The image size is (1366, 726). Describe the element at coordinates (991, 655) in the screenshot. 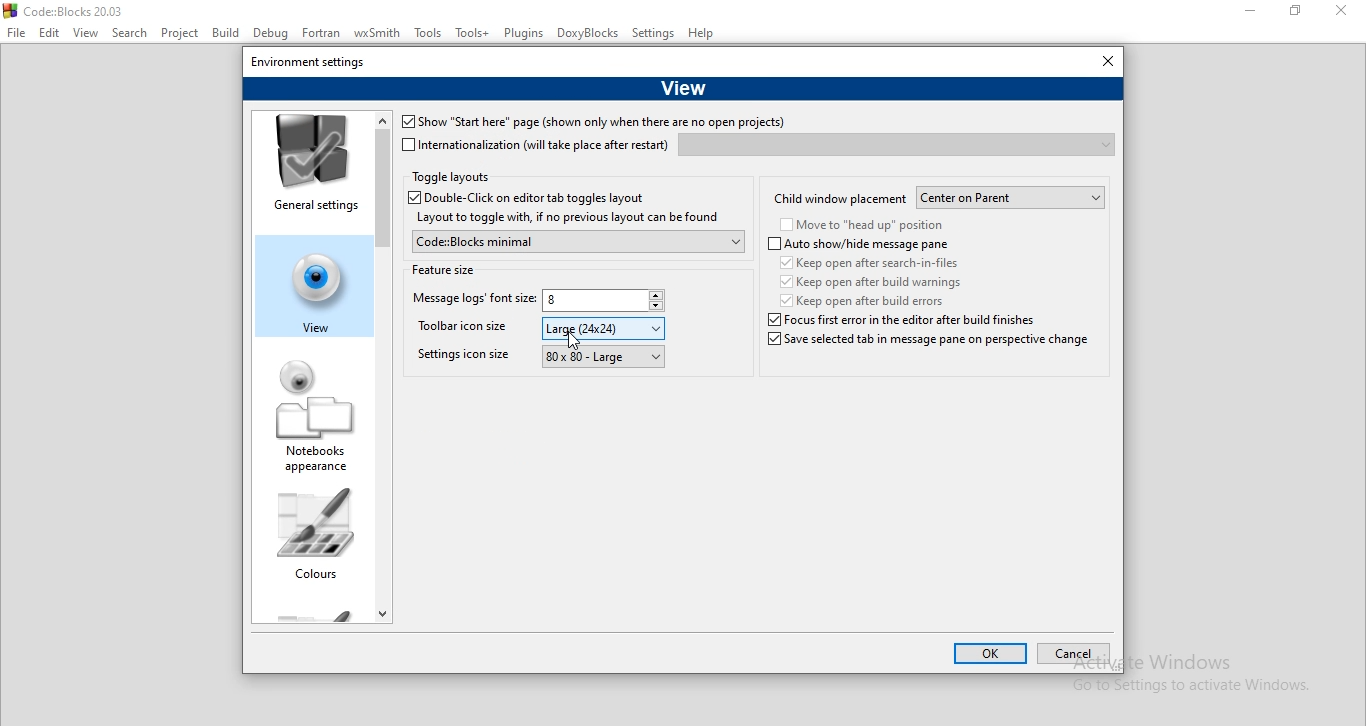

I see `ok` at that location.